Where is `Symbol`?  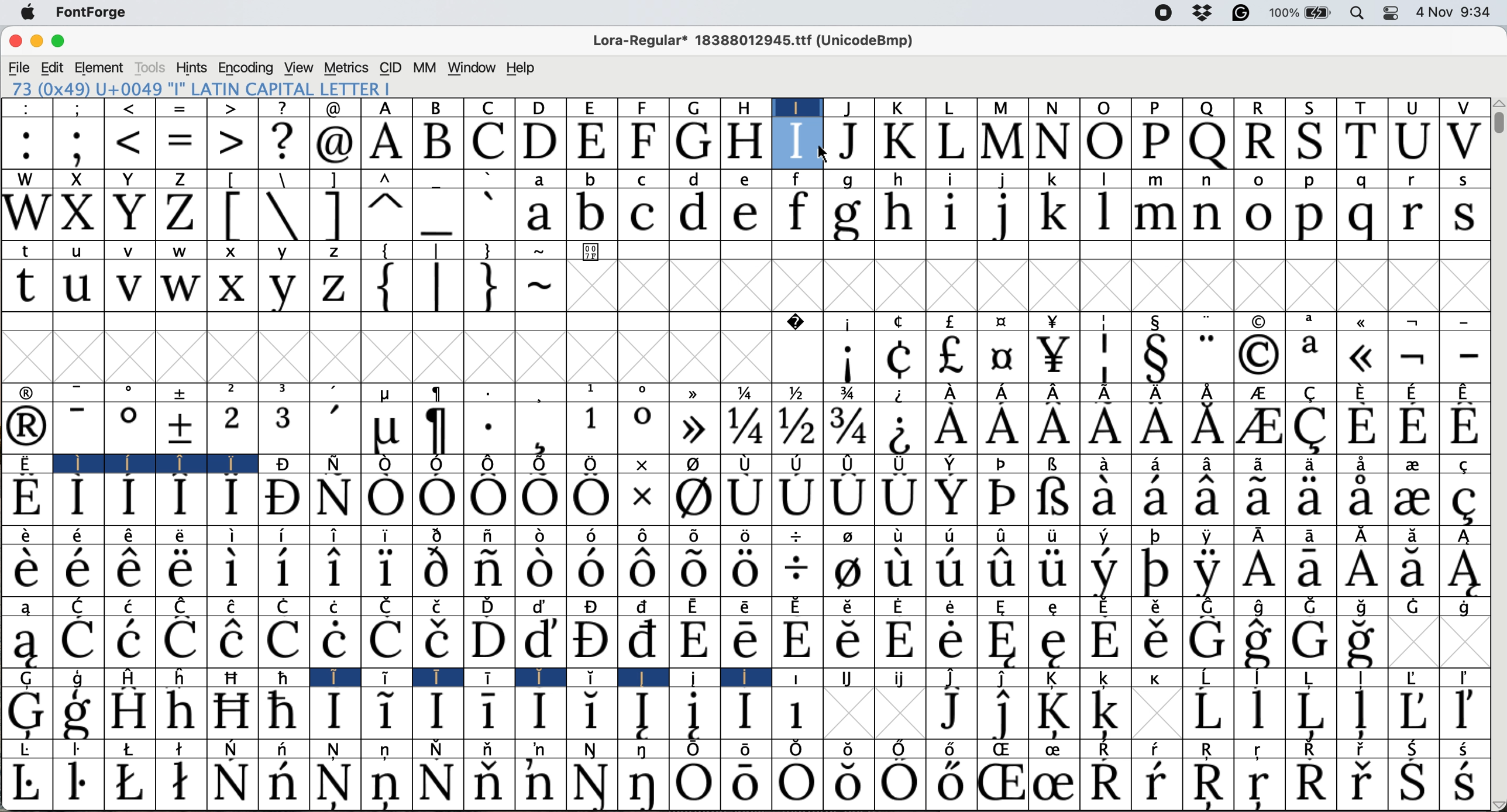 Symbol is located at coordinates (1108, 571).